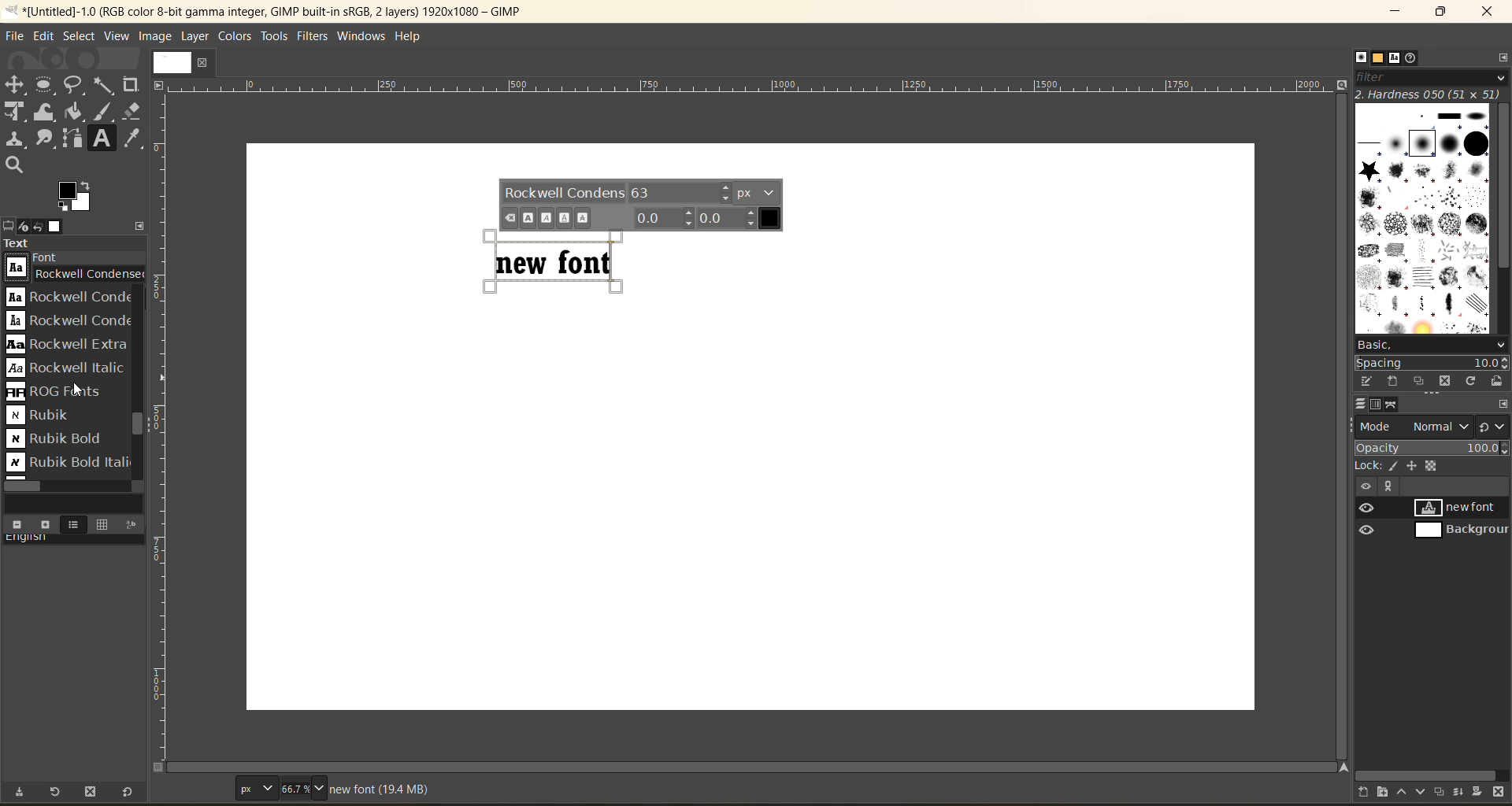 This screenshot has height=806, width=1512. What do you see at coordinates (59, 227) in the screenshot?
I see `images` at bounding box center [59, 227].